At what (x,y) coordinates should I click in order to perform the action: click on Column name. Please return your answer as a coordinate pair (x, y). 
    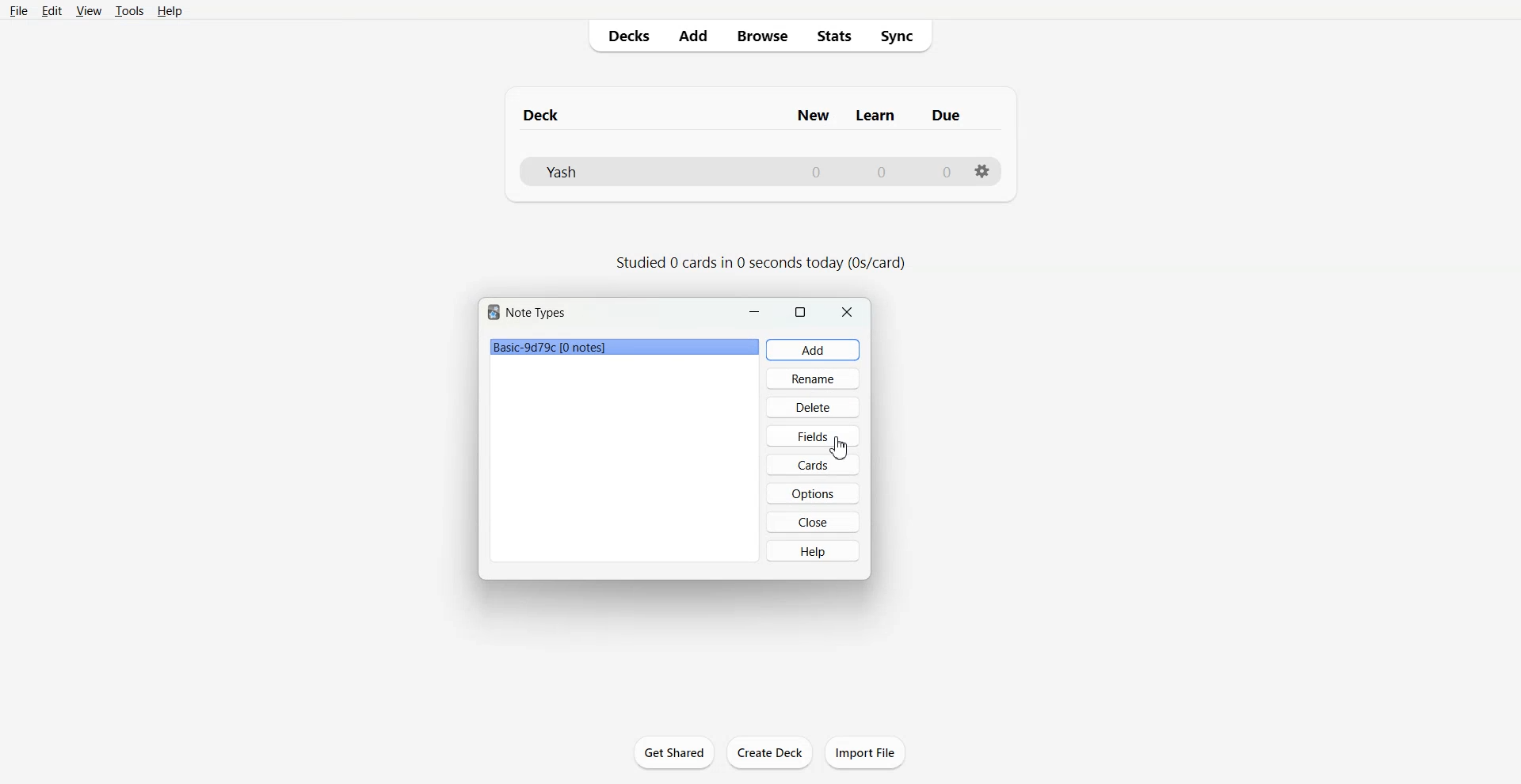
    Looking at the image, I should click on (813, 116).